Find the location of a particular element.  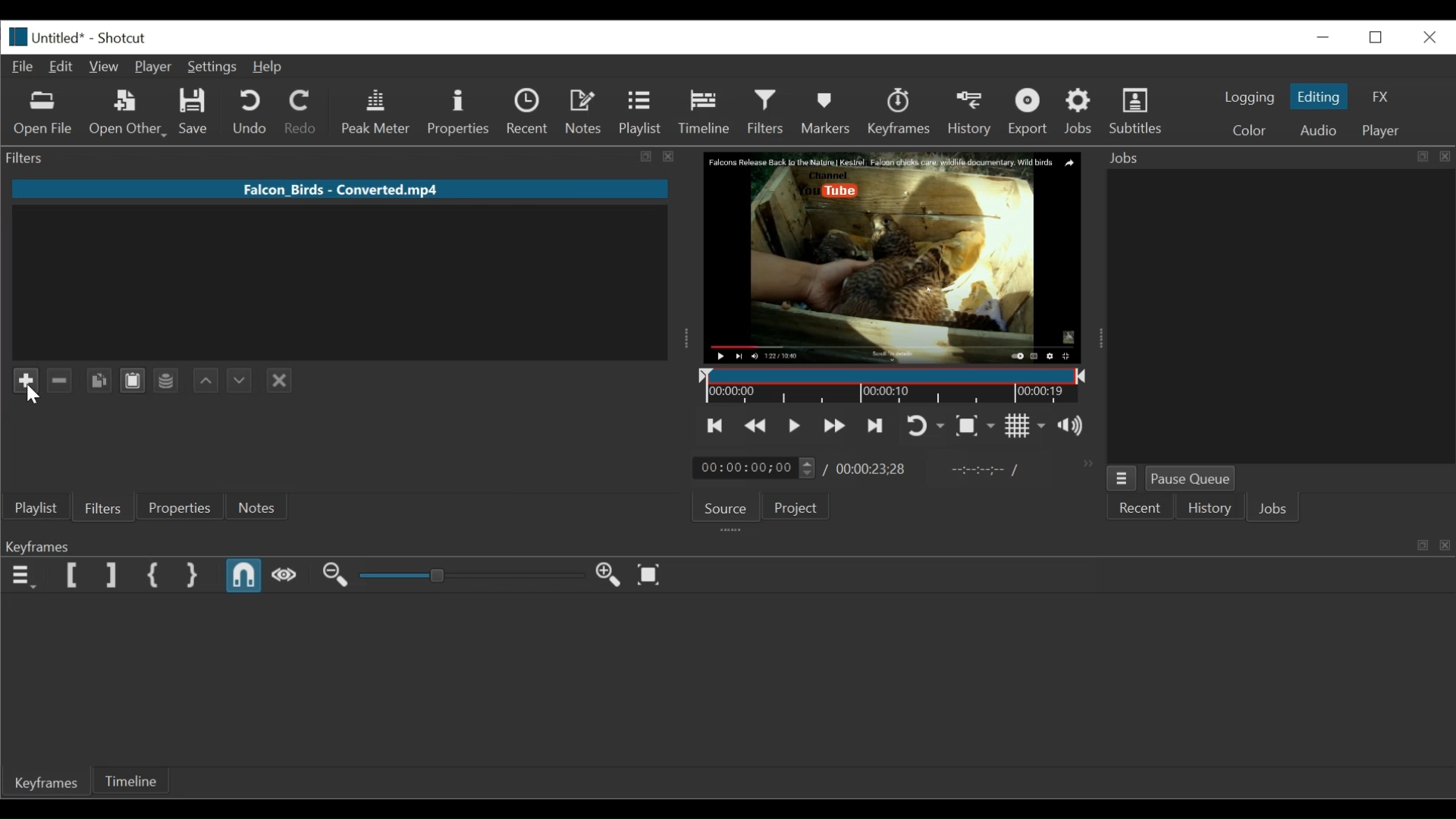

minimize is located at coordinates (1376, 37).